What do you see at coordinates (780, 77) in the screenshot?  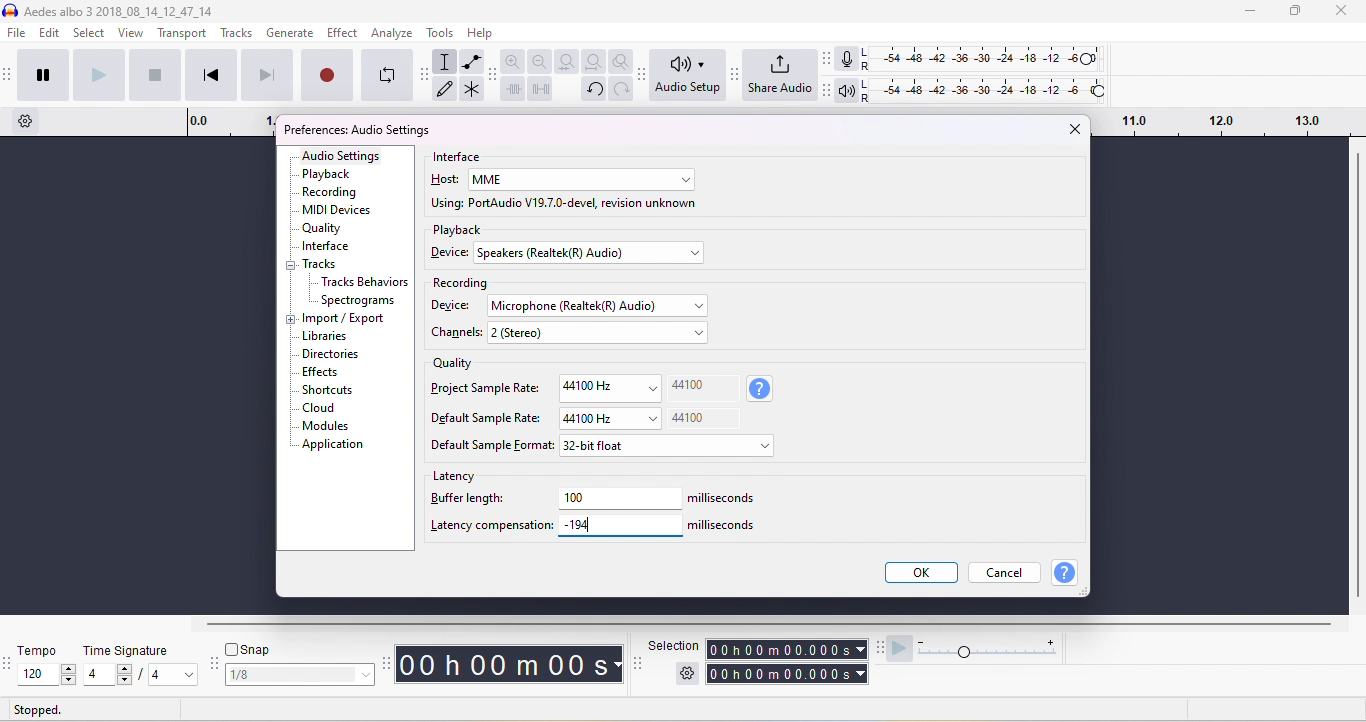 I see `share audio` at bounding box center [780, 77].